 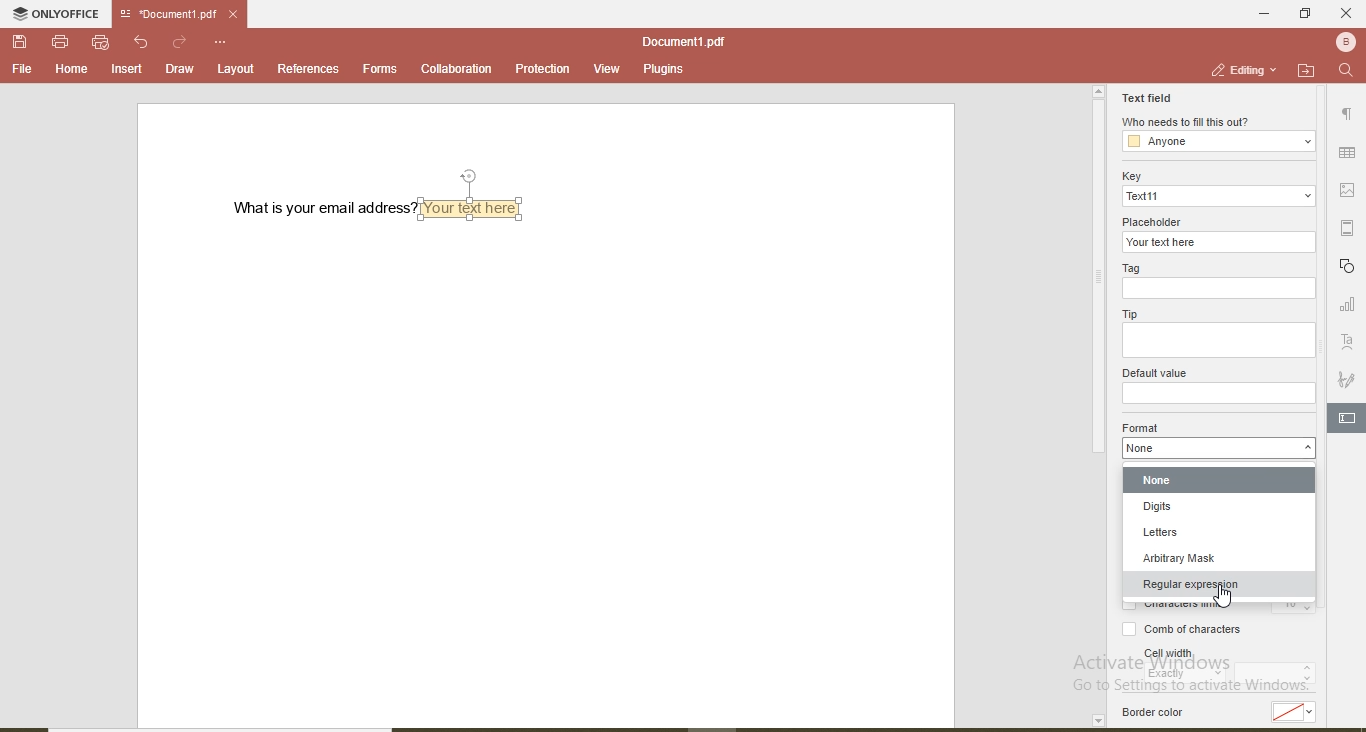 What do you see at coordinates (1216, 449) in the screenshot?
I see `none` at bounding box center [1216, 449].